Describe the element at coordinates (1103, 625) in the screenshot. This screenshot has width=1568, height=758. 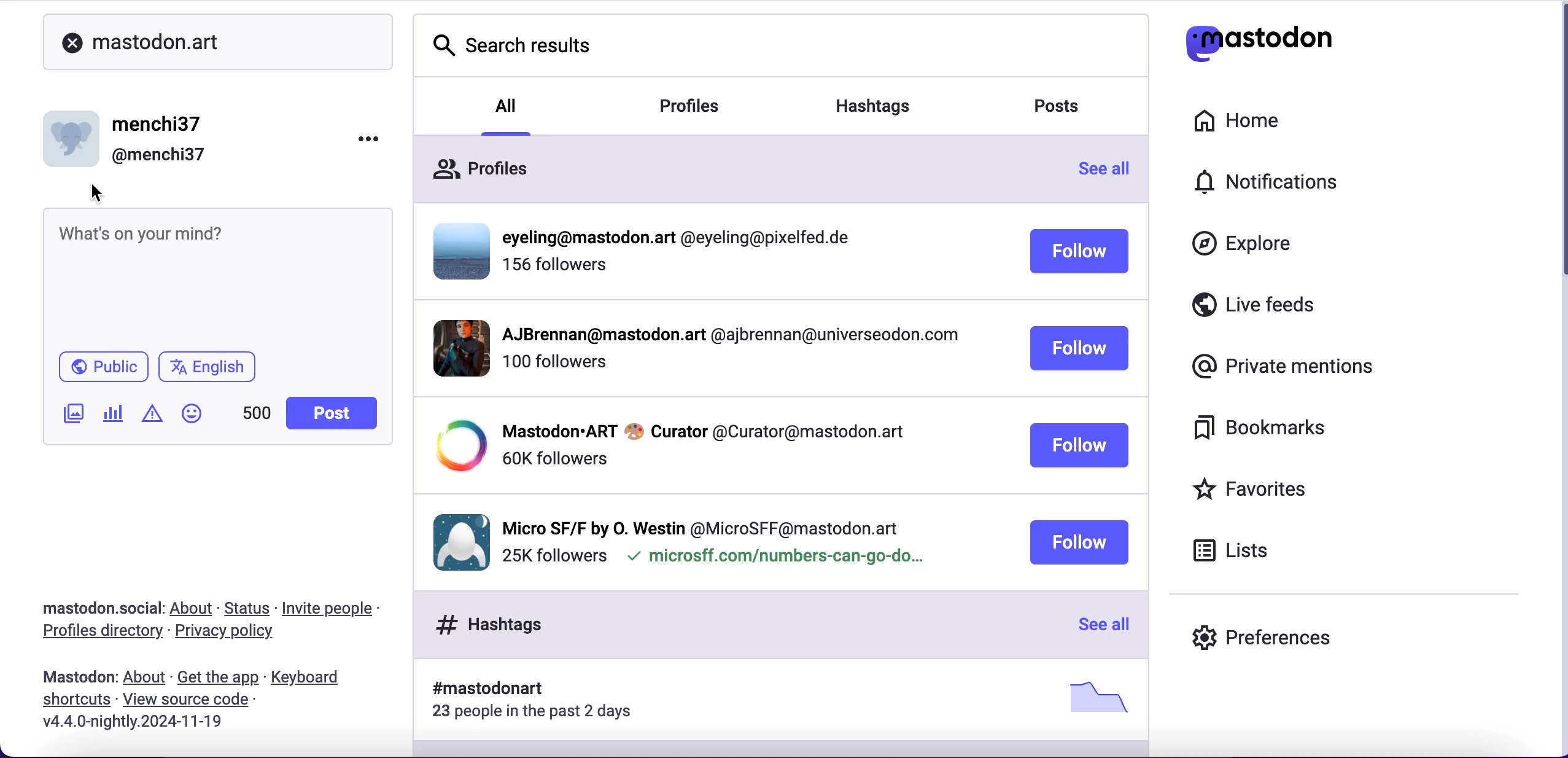
I see `see all` at that location.